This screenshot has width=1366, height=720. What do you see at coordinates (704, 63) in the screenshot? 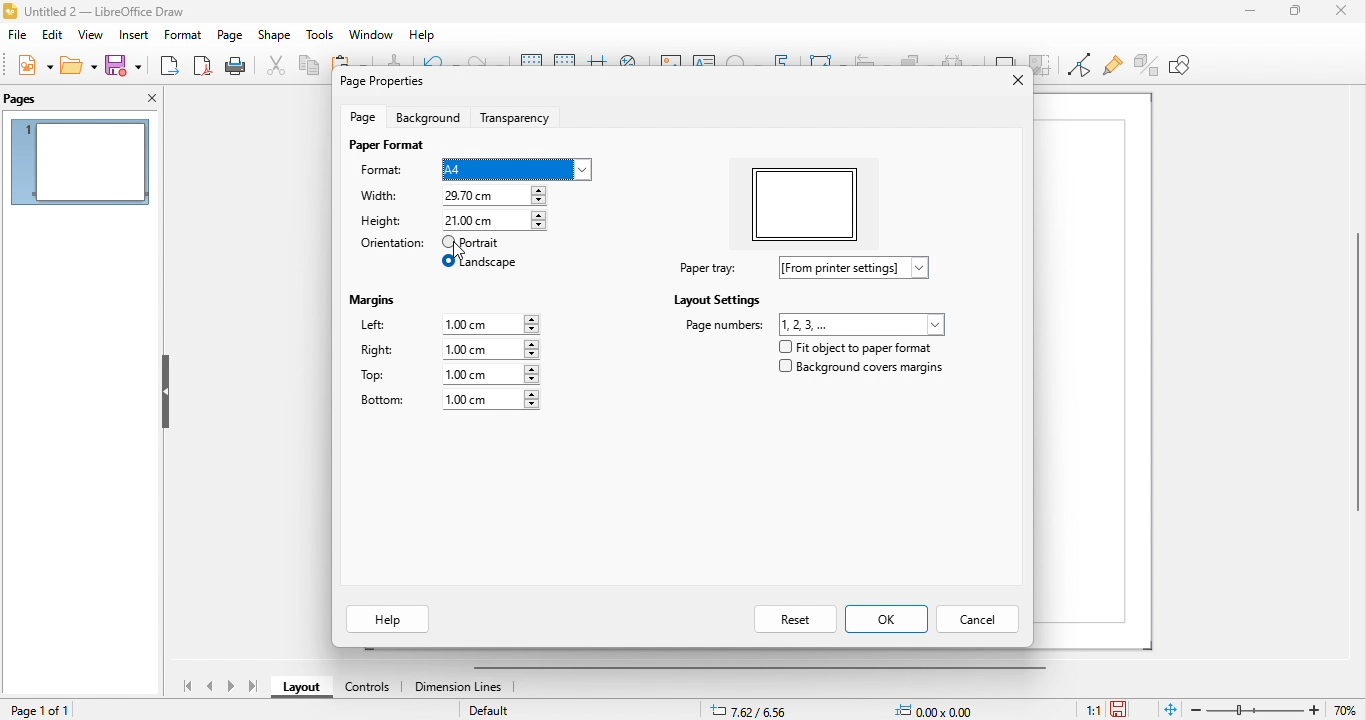
I see `text box` at bounding box center [704, 63].